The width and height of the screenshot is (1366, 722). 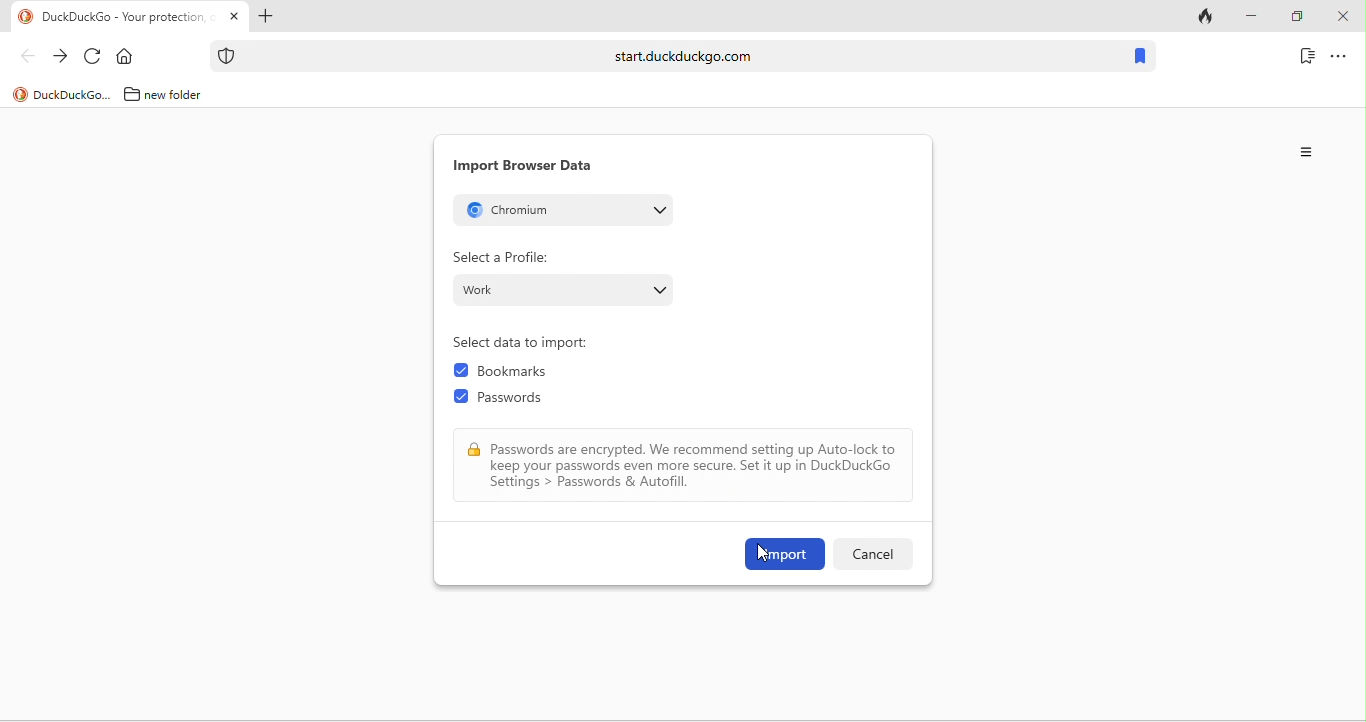 What do you see at coordinates (181, 94) in the screenshot?
I see `new folder` at bounding box center [181, 94].